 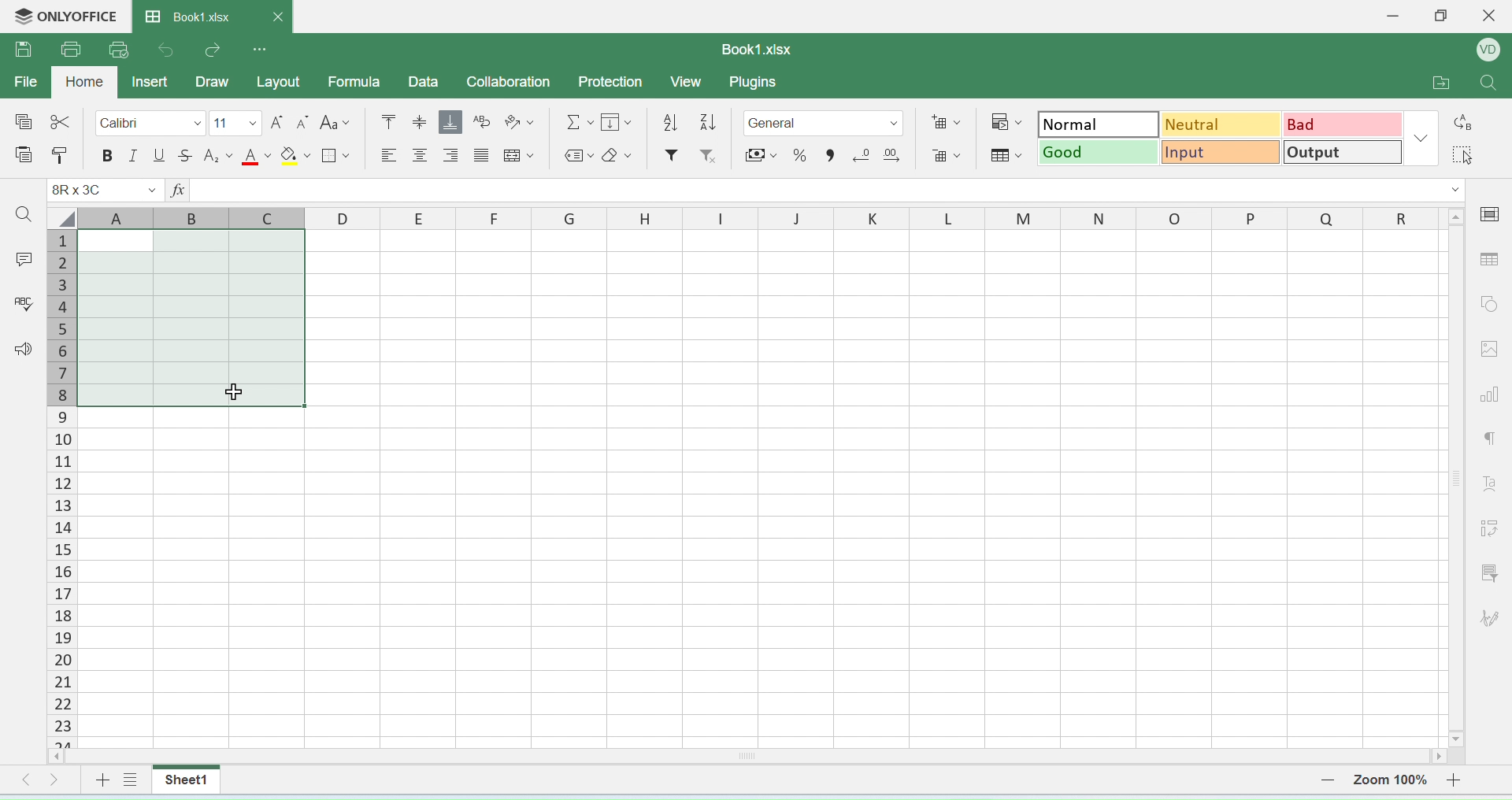 What do you see at coordinates (1441, 85) in the screenshot?
I see `open folder` at bounding box center [1441, 85].